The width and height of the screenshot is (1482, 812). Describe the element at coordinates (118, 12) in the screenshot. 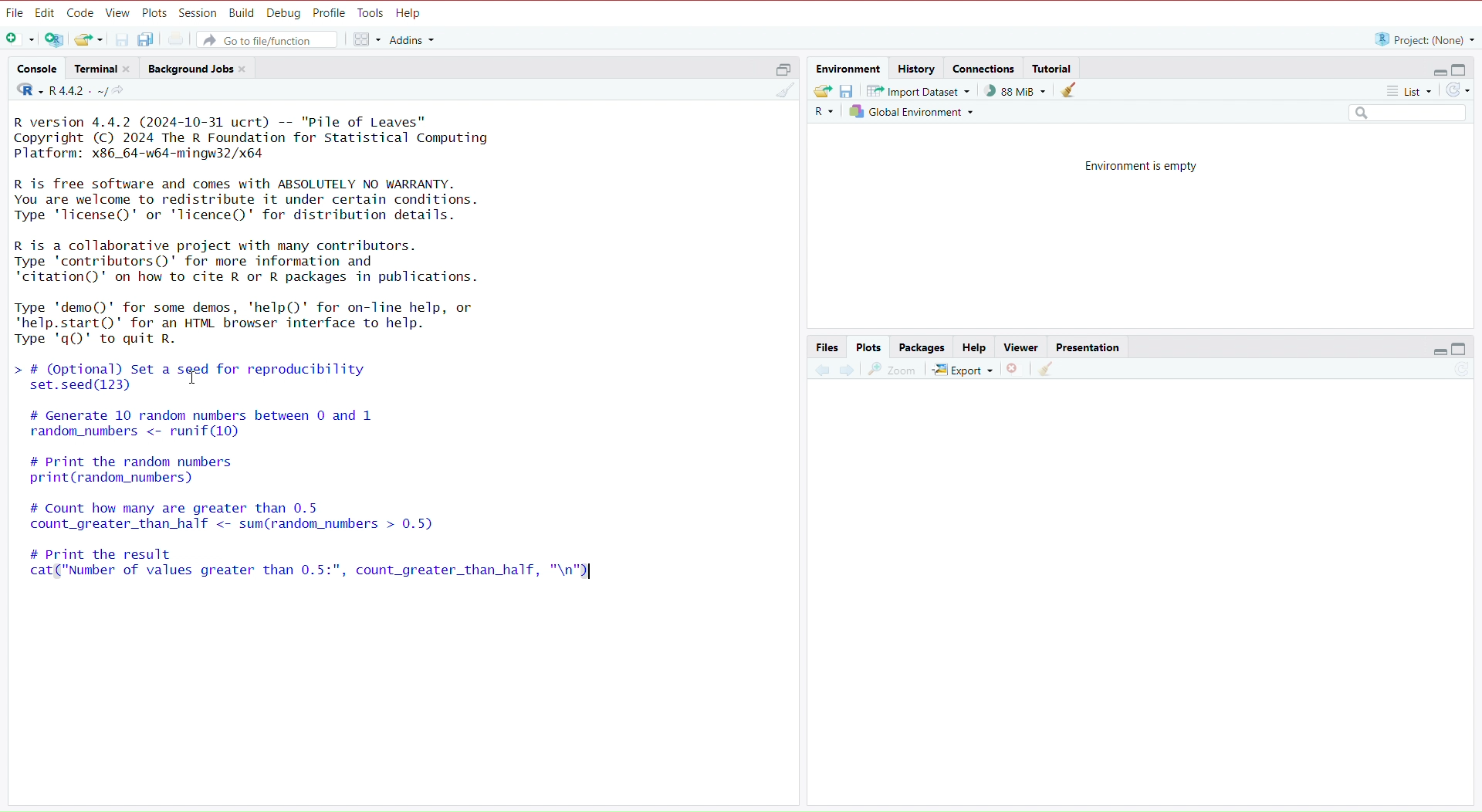

I see `View` at that location.